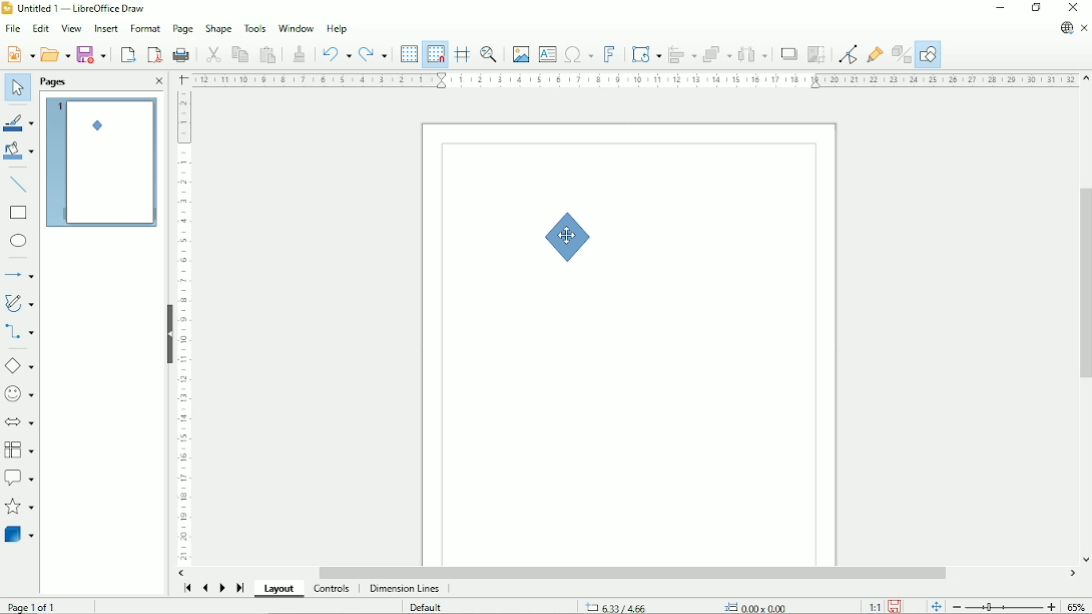 This screenshot has height=614, width=1092. I want to click on Scroll to previous page, so click(204, 588).